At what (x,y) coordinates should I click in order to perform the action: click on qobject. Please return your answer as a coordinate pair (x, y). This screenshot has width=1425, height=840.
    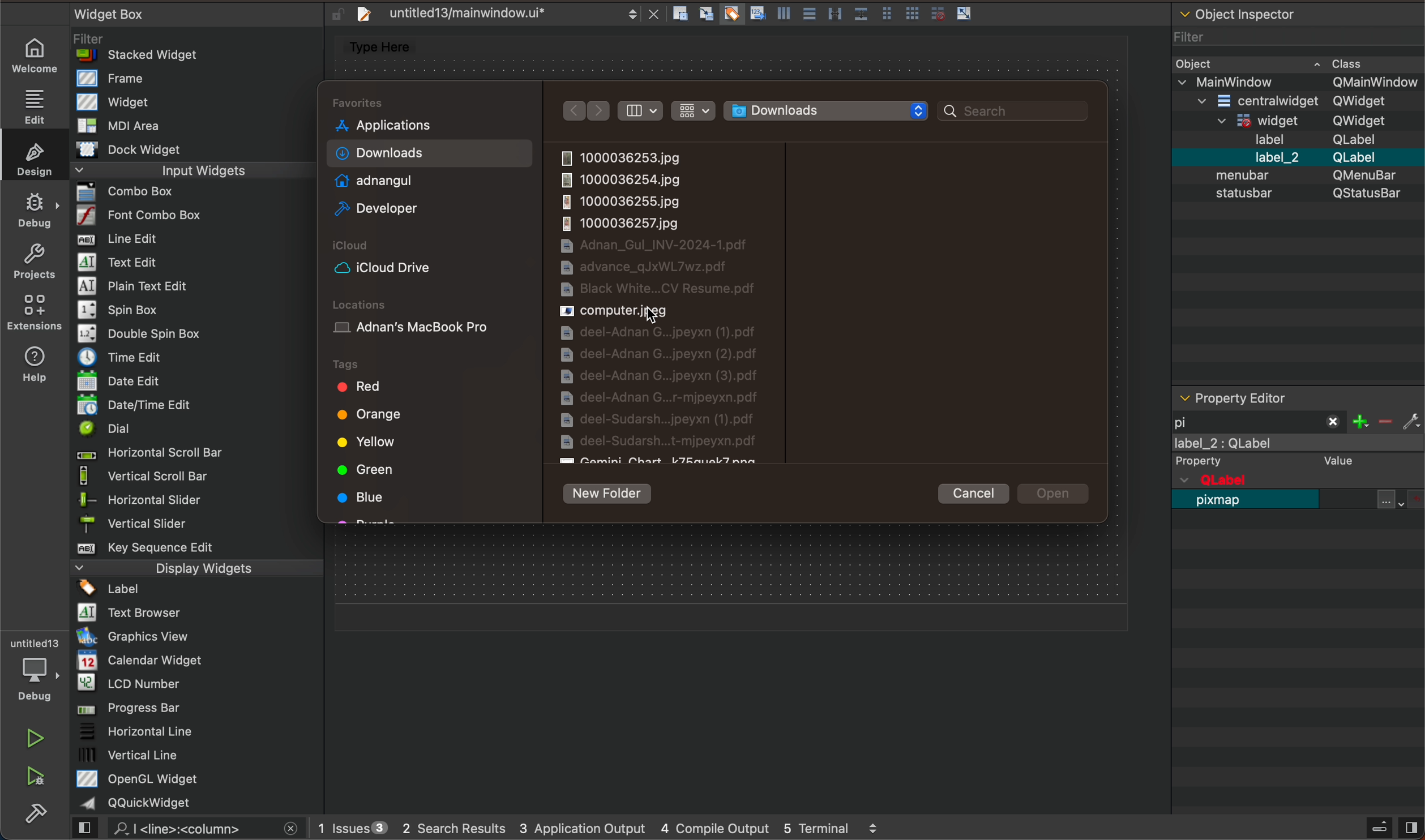
    Looking at the image, I should click on (1284, 480).